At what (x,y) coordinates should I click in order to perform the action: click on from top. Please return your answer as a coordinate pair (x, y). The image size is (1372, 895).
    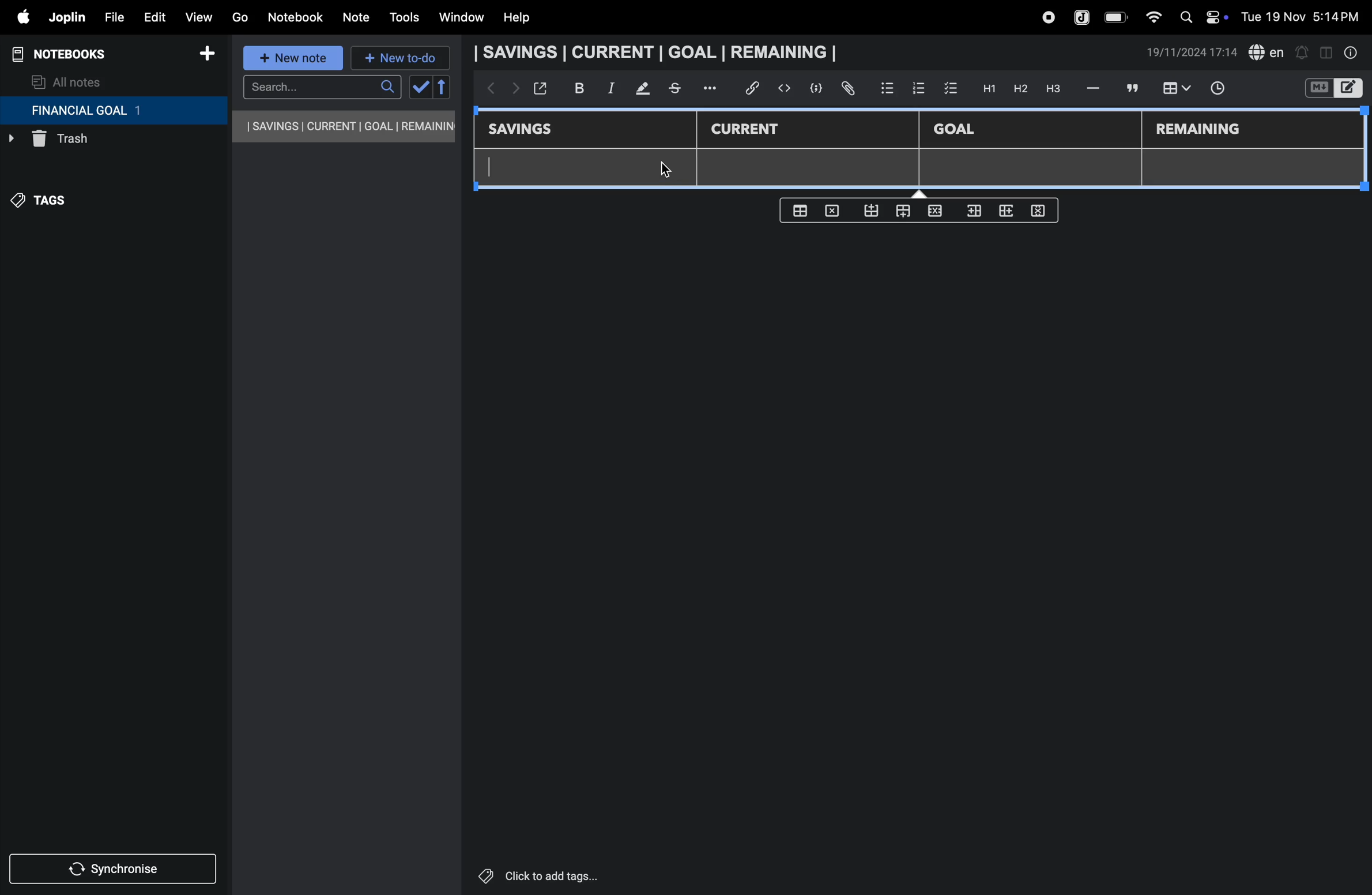
    Looking at the image, I should click on (900, 212).